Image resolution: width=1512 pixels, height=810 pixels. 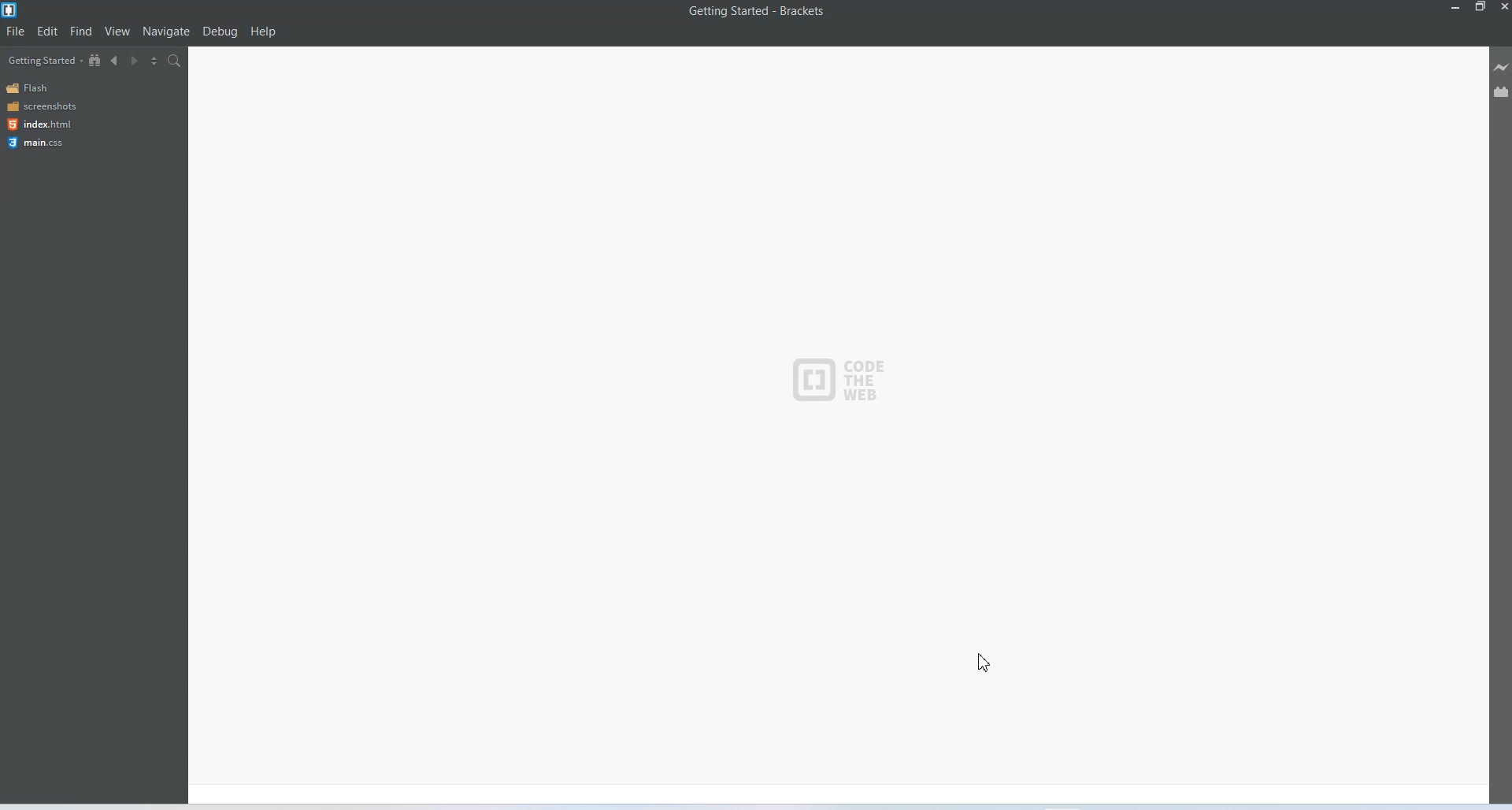 What do you see at coordinates (43, 60) in the screenshot?
I see `Getting Started` at bounding box center [43, 60].